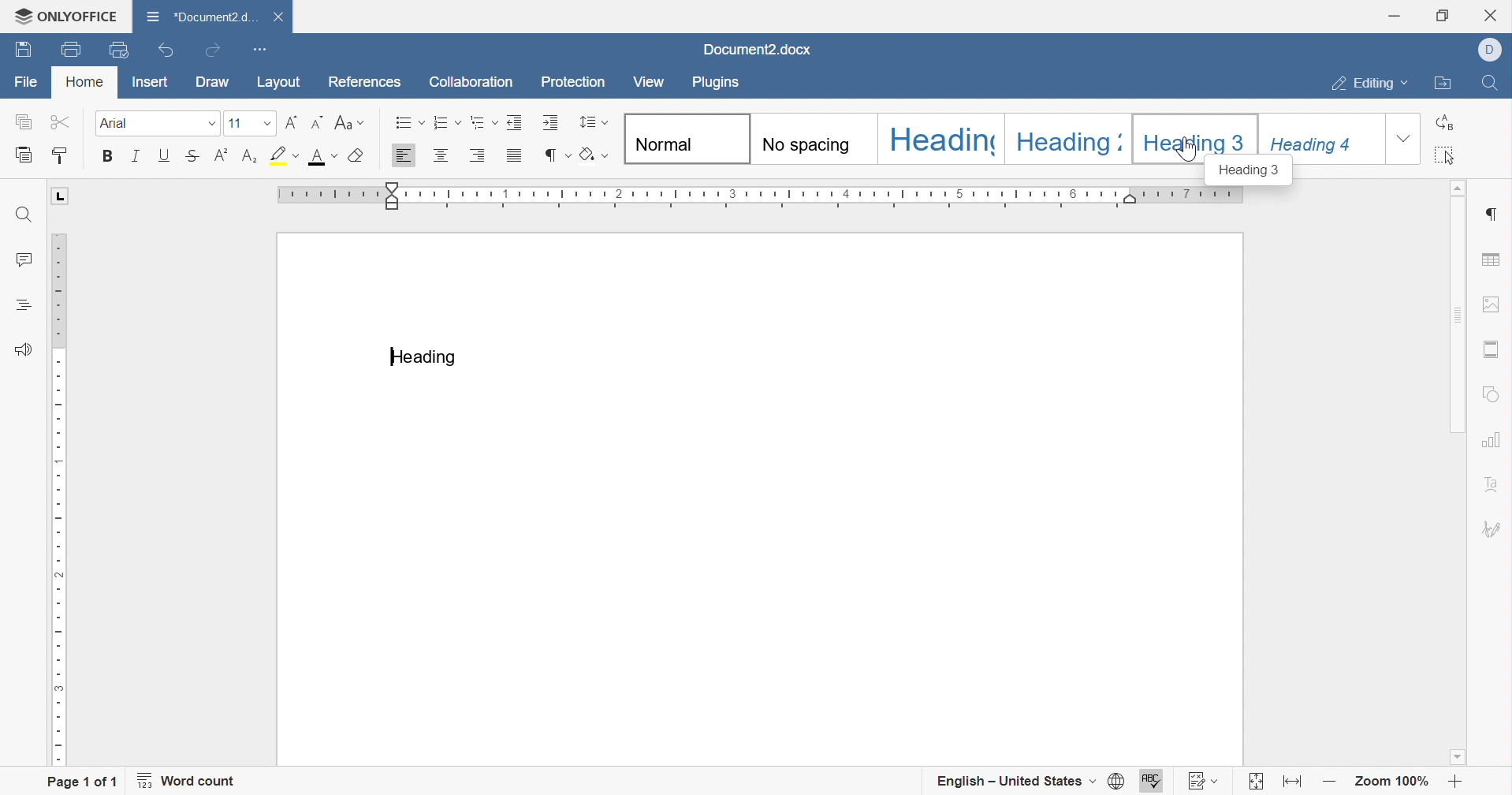 This screenshot has width=1512, height=795. I want to click on Font size, so click(246, 125).